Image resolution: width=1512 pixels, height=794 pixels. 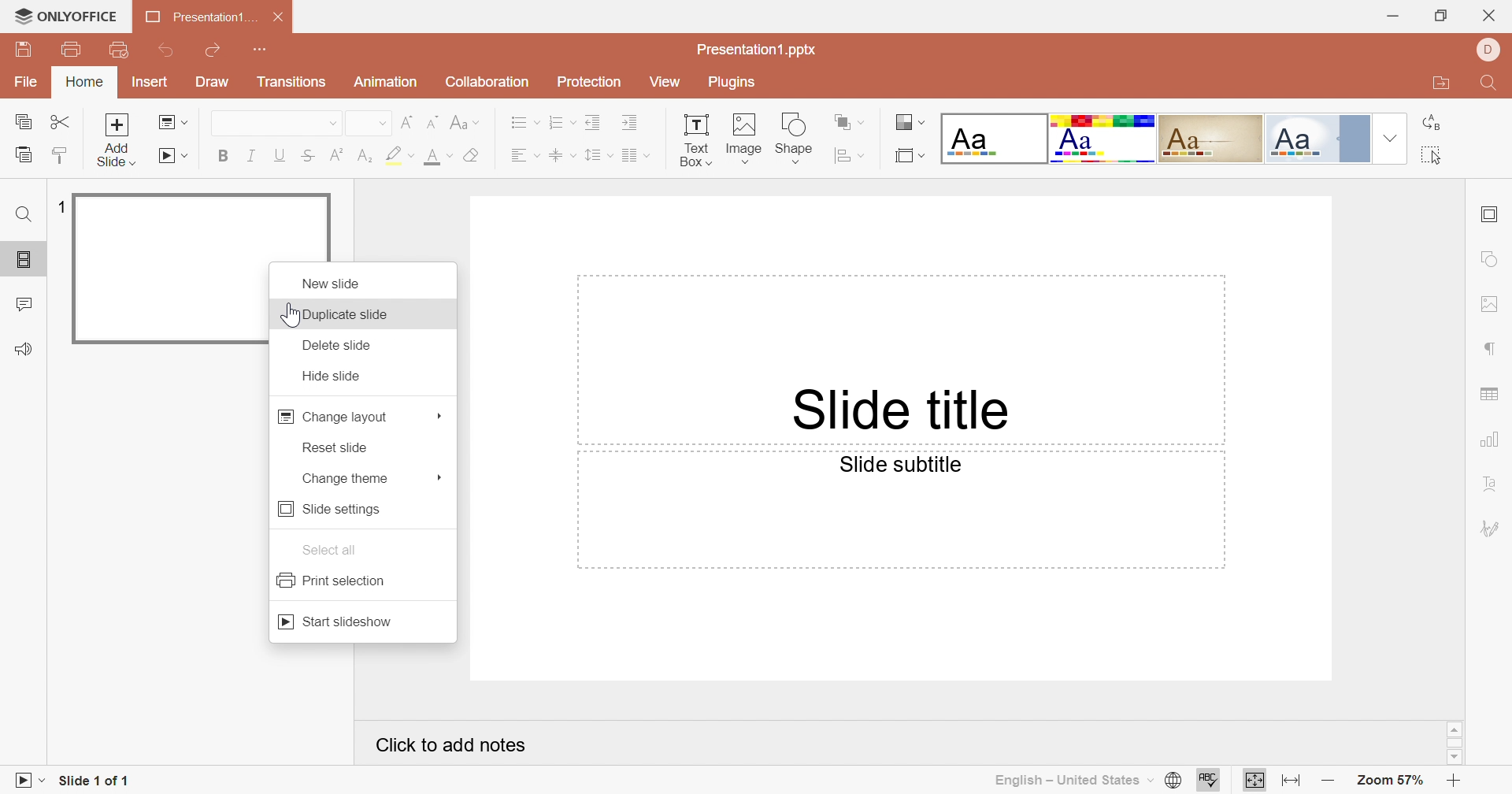 I want to click on Find, so click(x=26, y=215).